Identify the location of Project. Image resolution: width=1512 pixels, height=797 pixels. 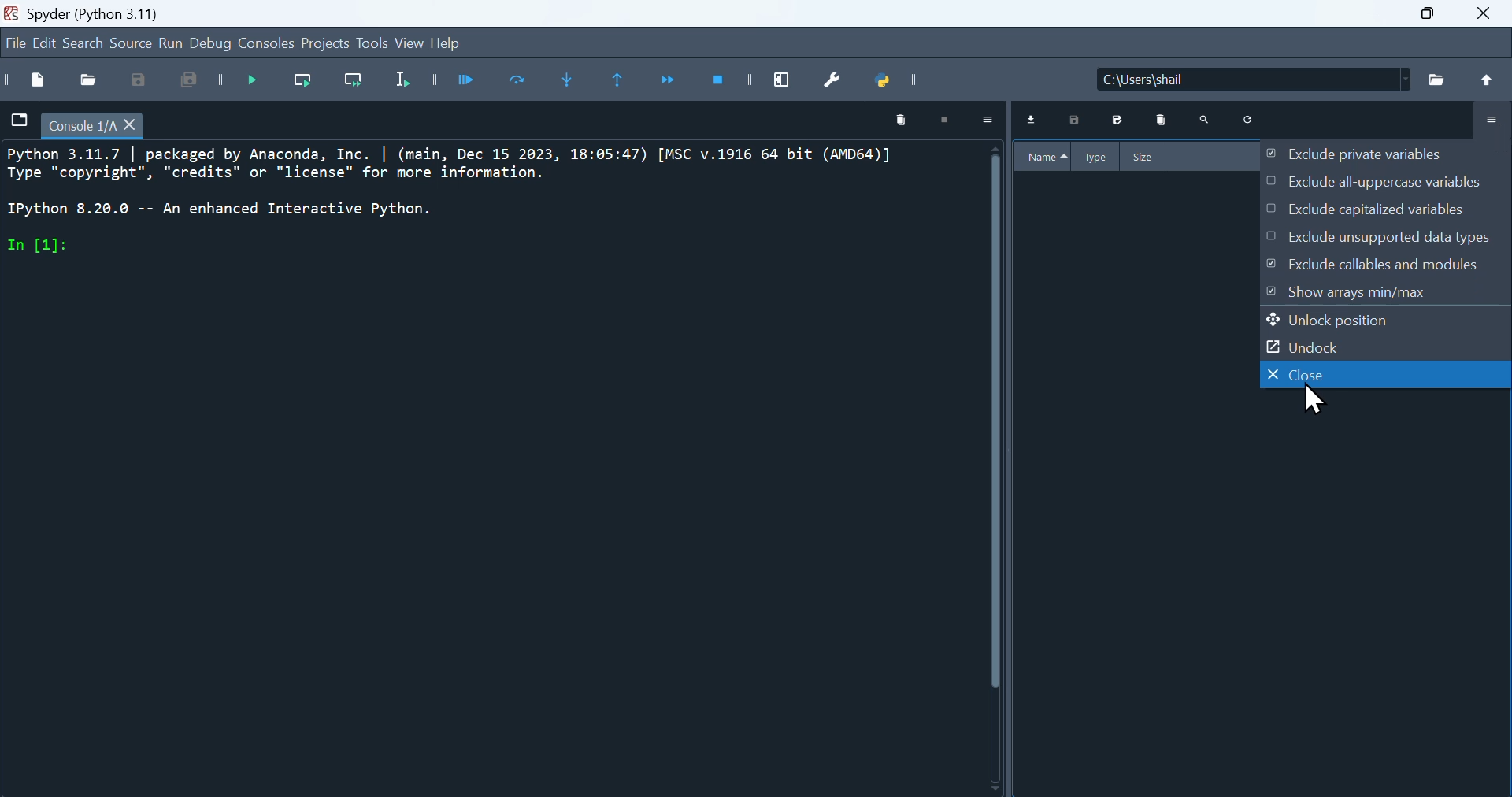
(325, 46).